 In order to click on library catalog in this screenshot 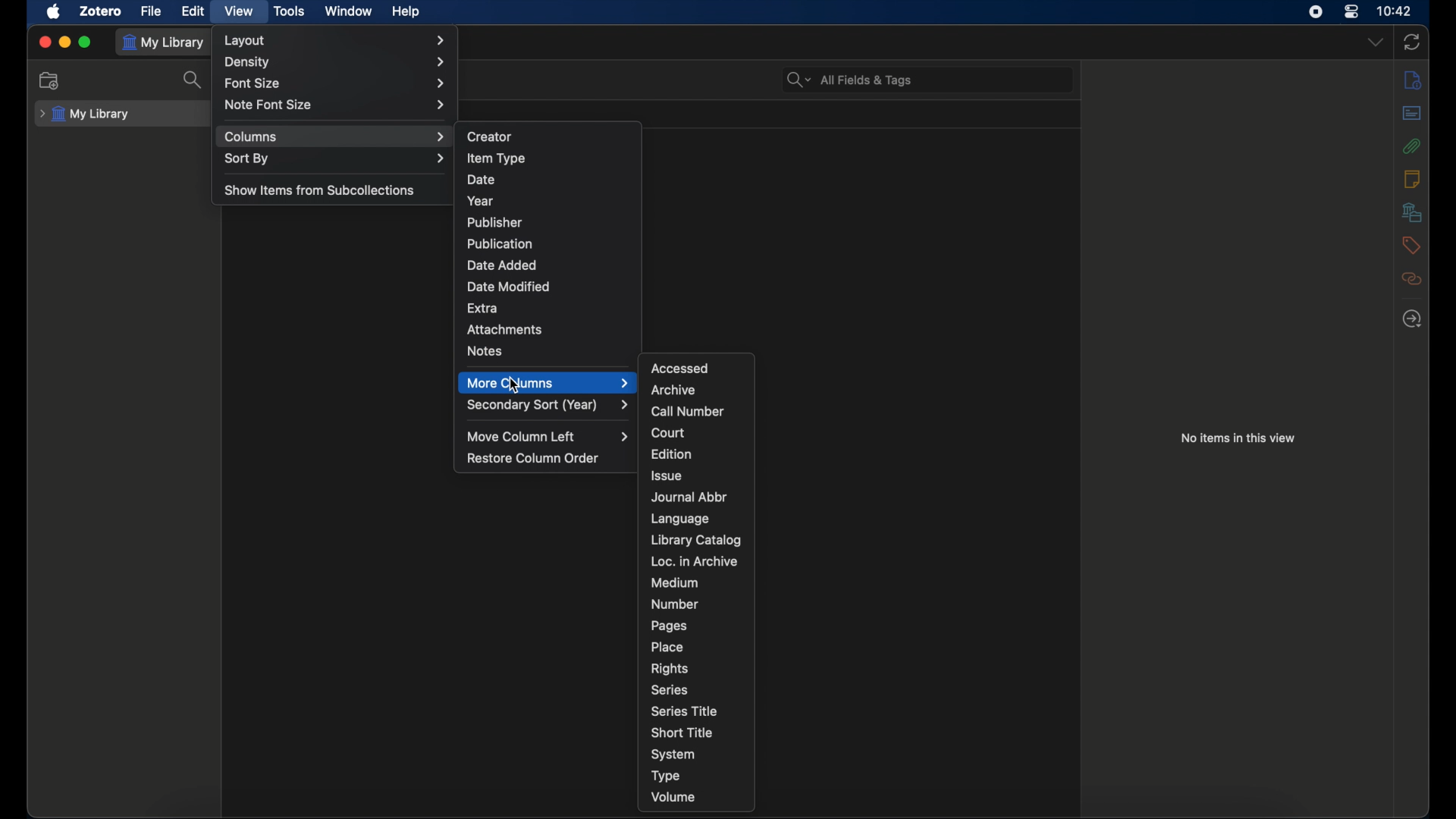, I will do `click(695, 540)`.